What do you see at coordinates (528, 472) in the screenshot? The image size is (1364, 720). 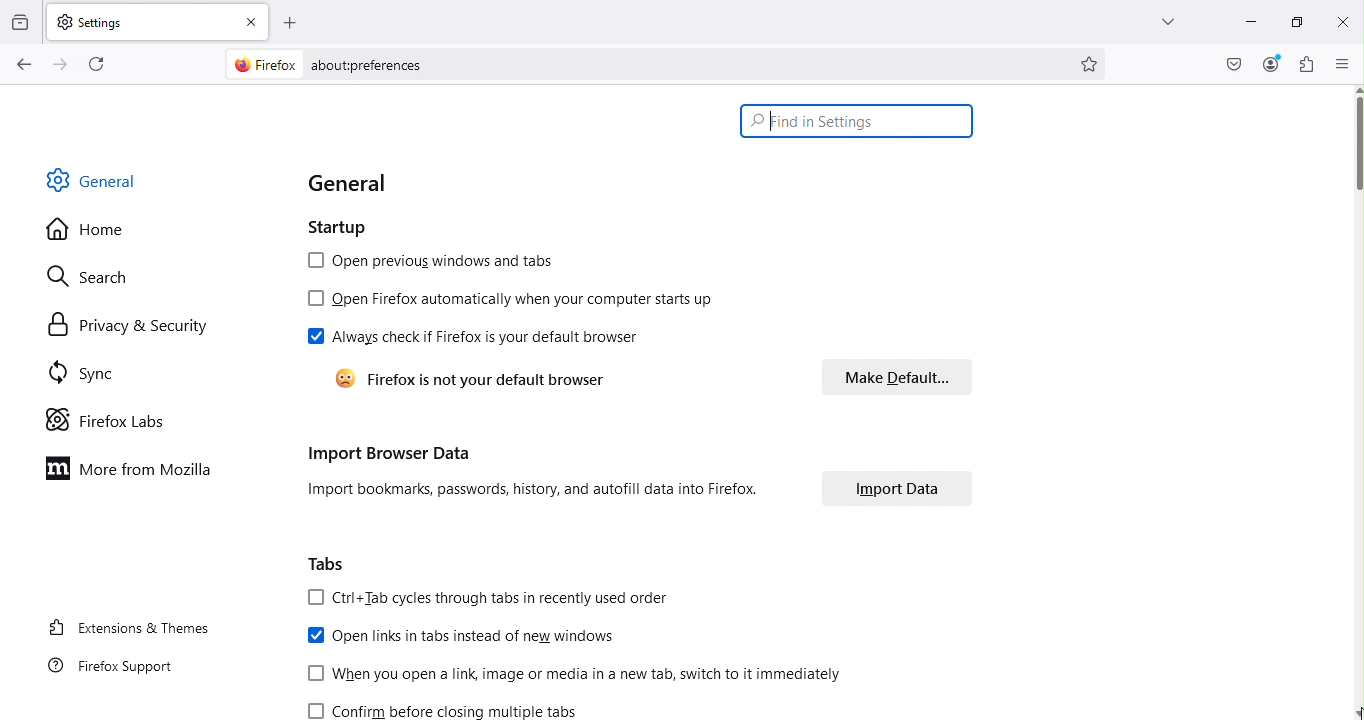 I see `Import browser data` at bounding box center [528, 472].